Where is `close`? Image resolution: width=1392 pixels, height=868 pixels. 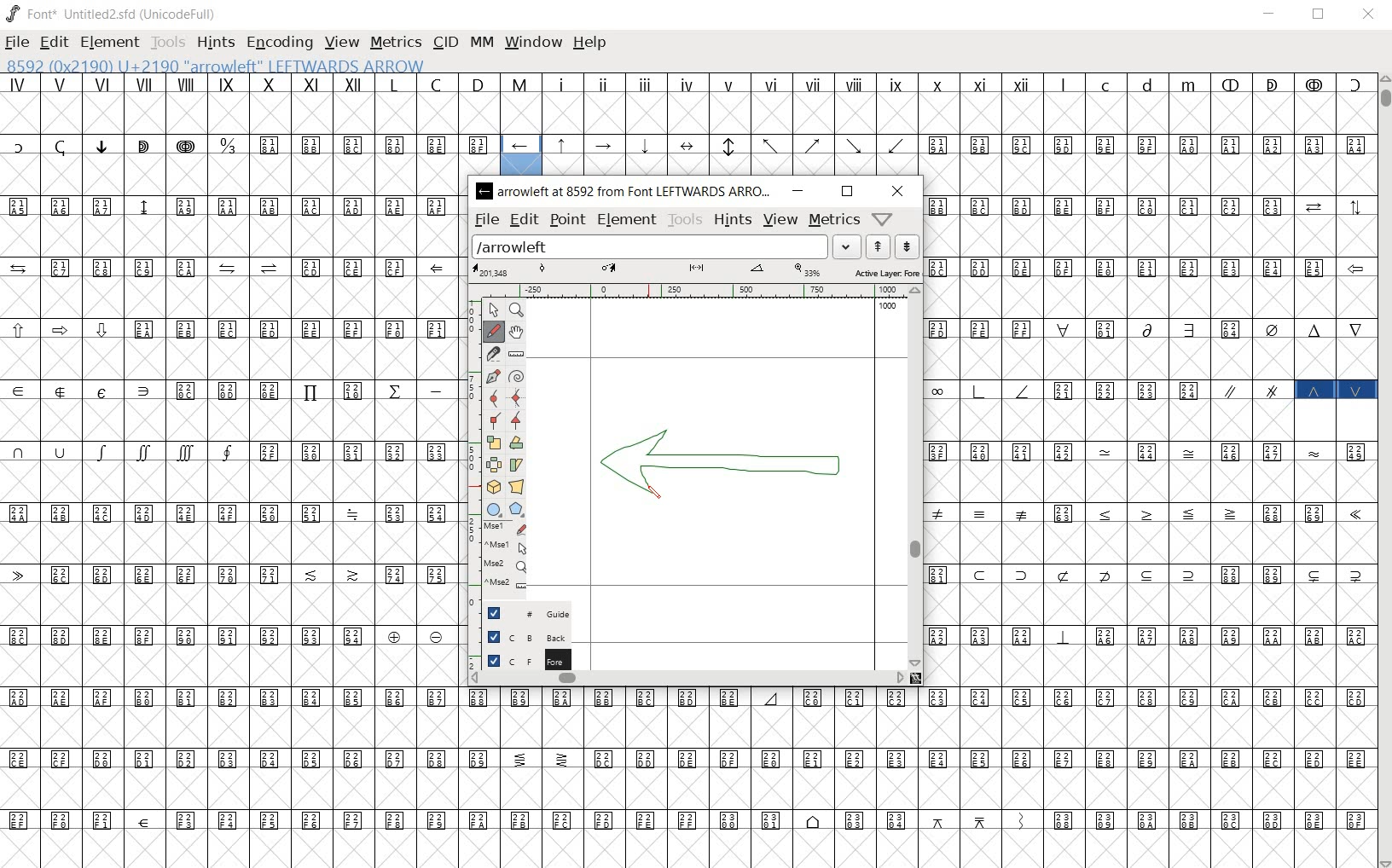
close is located at coordinates (1368, 16).